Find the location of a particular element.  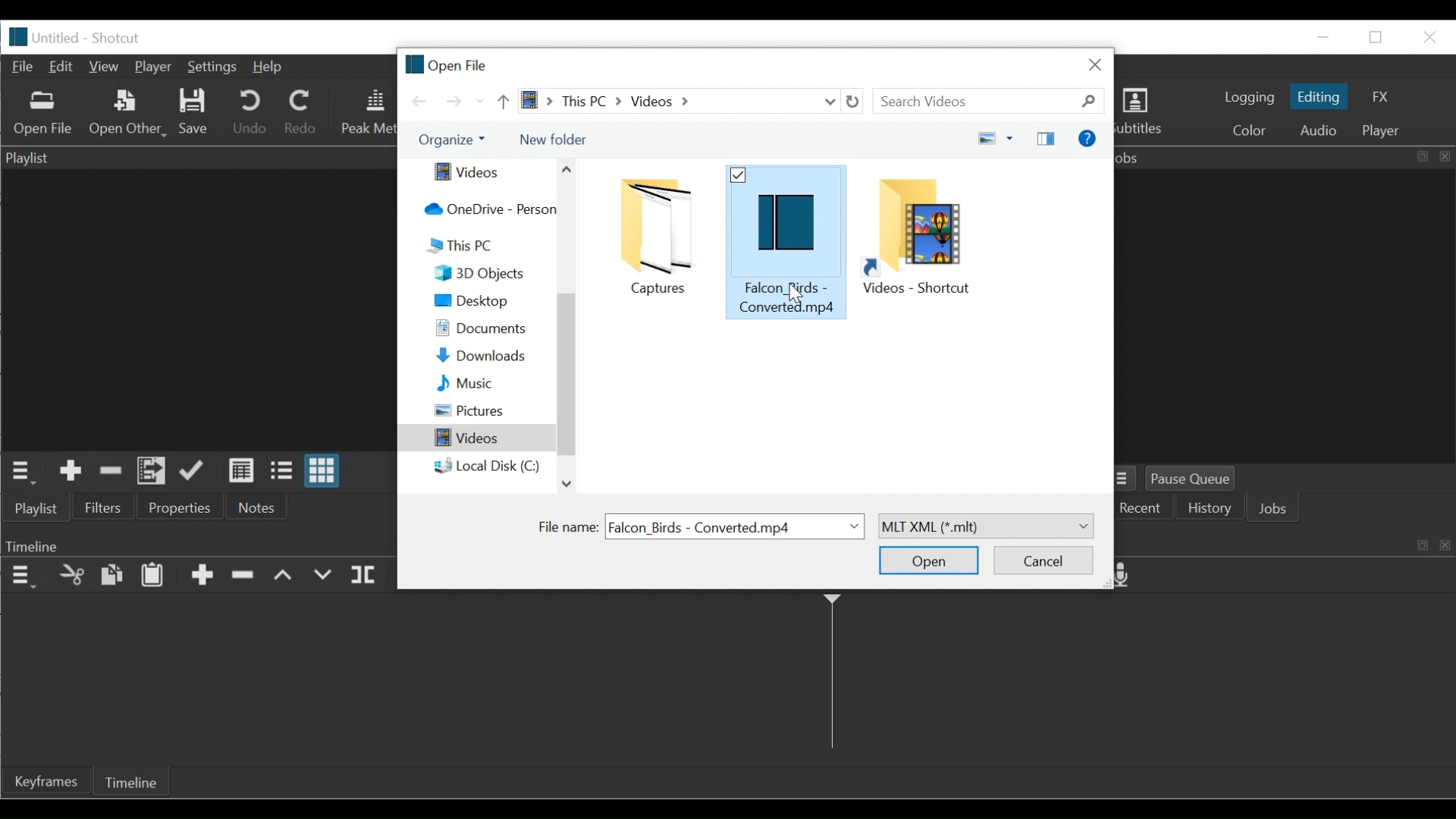

Refresh is located at coordinates (857, 102).